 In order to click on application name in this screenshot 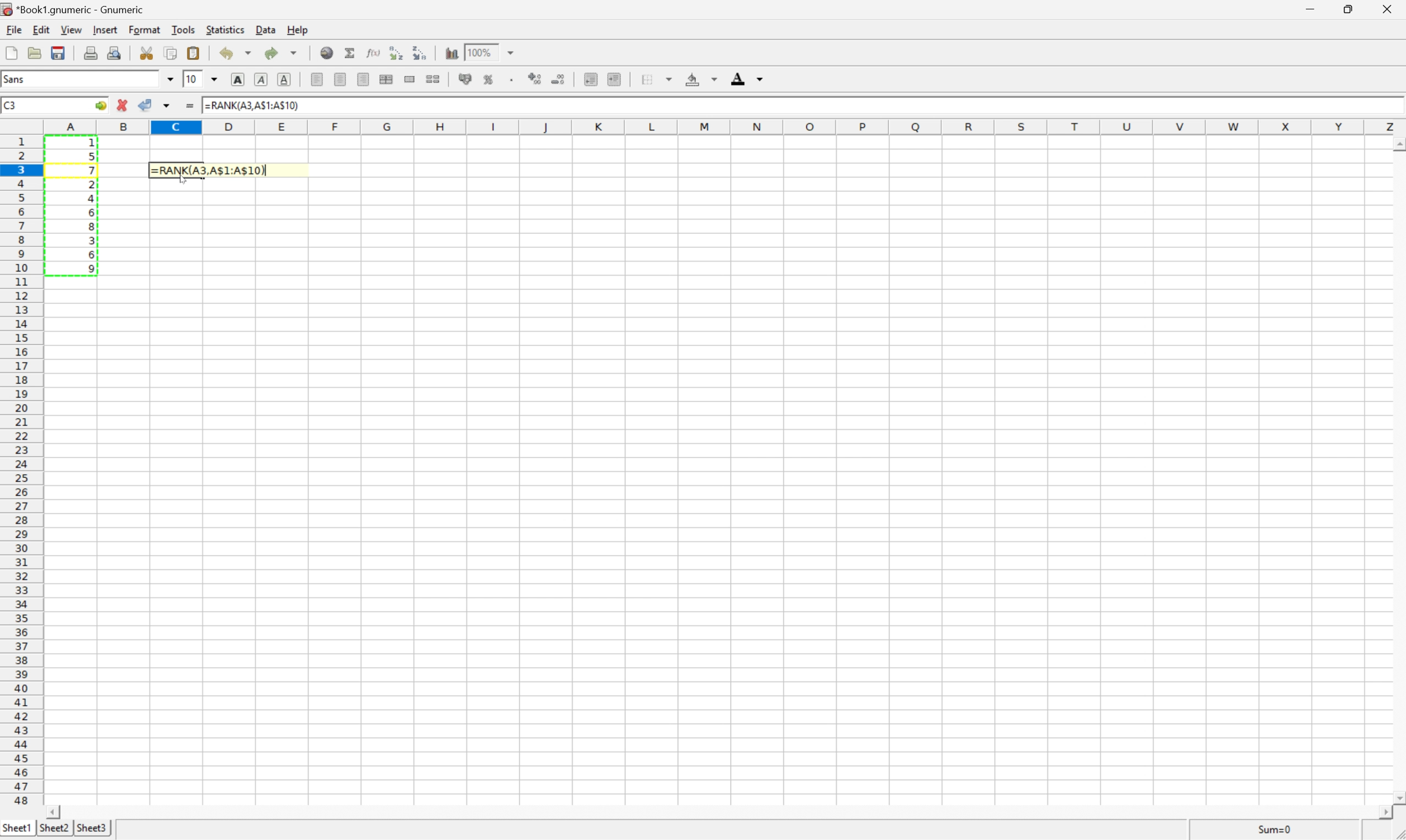, I will do `click(81, 8)`.